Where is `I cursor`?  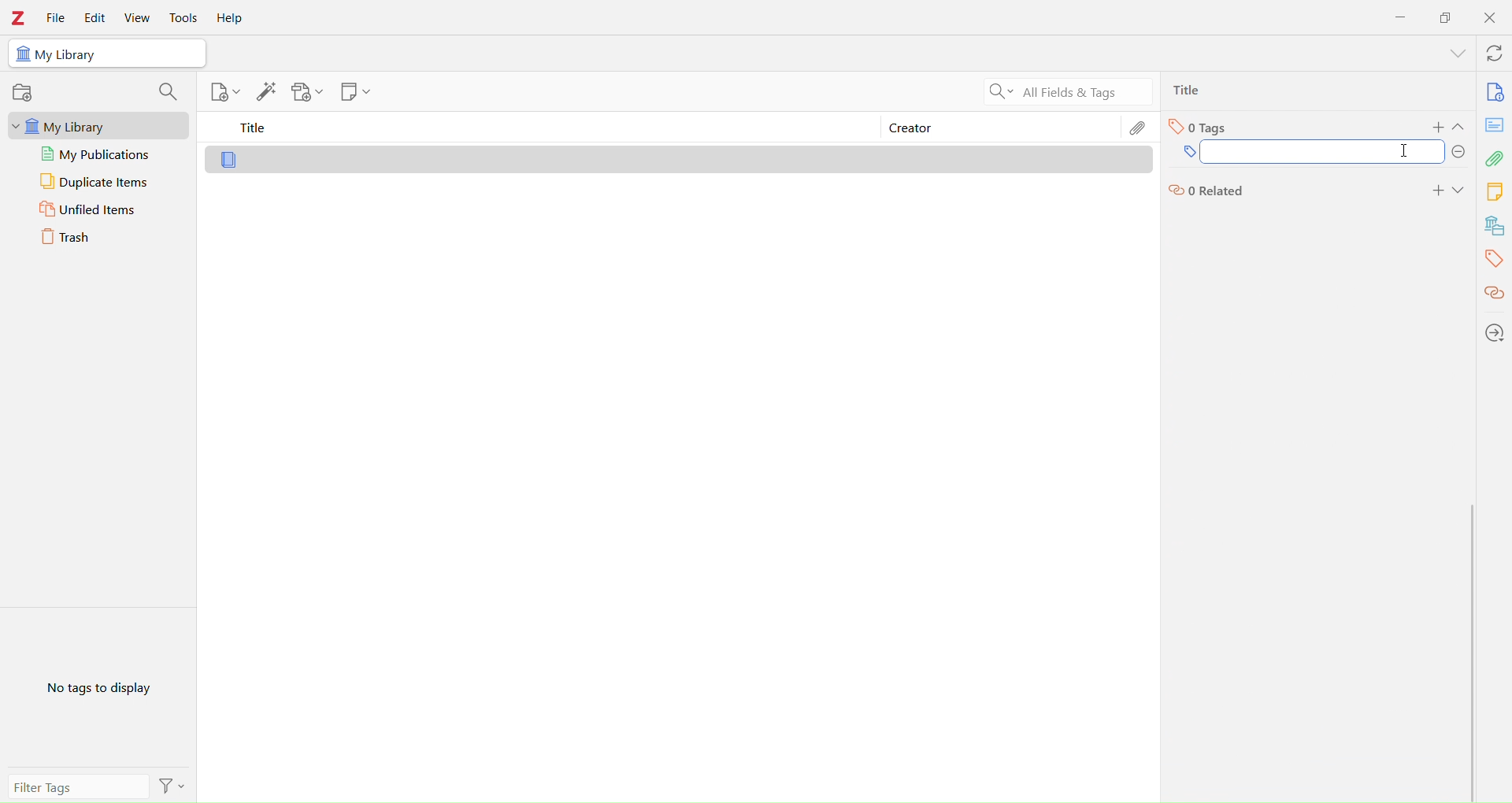 I cursor is located at coordinates (1414, 153).